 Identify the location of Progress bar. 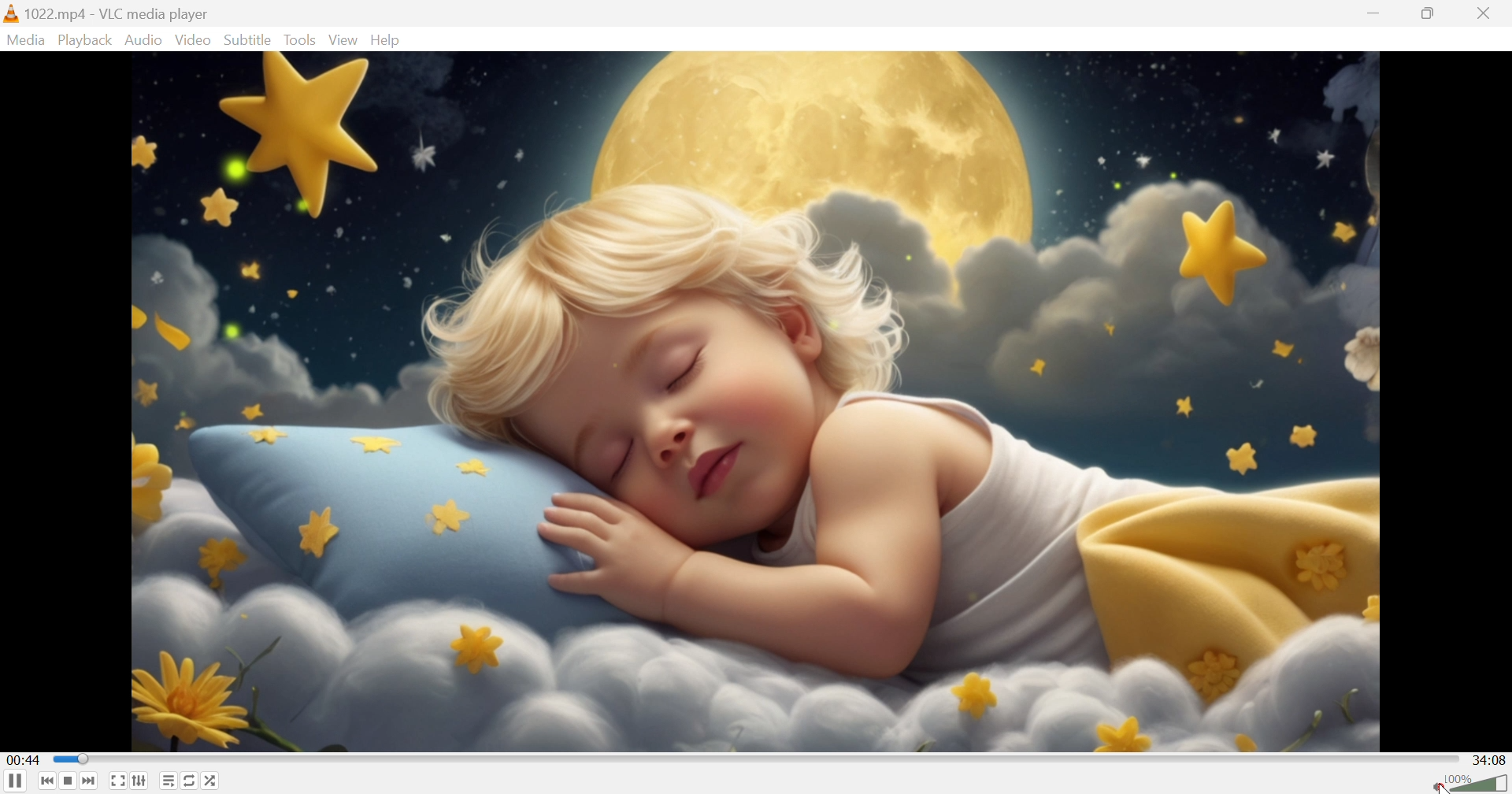
(755, 759).